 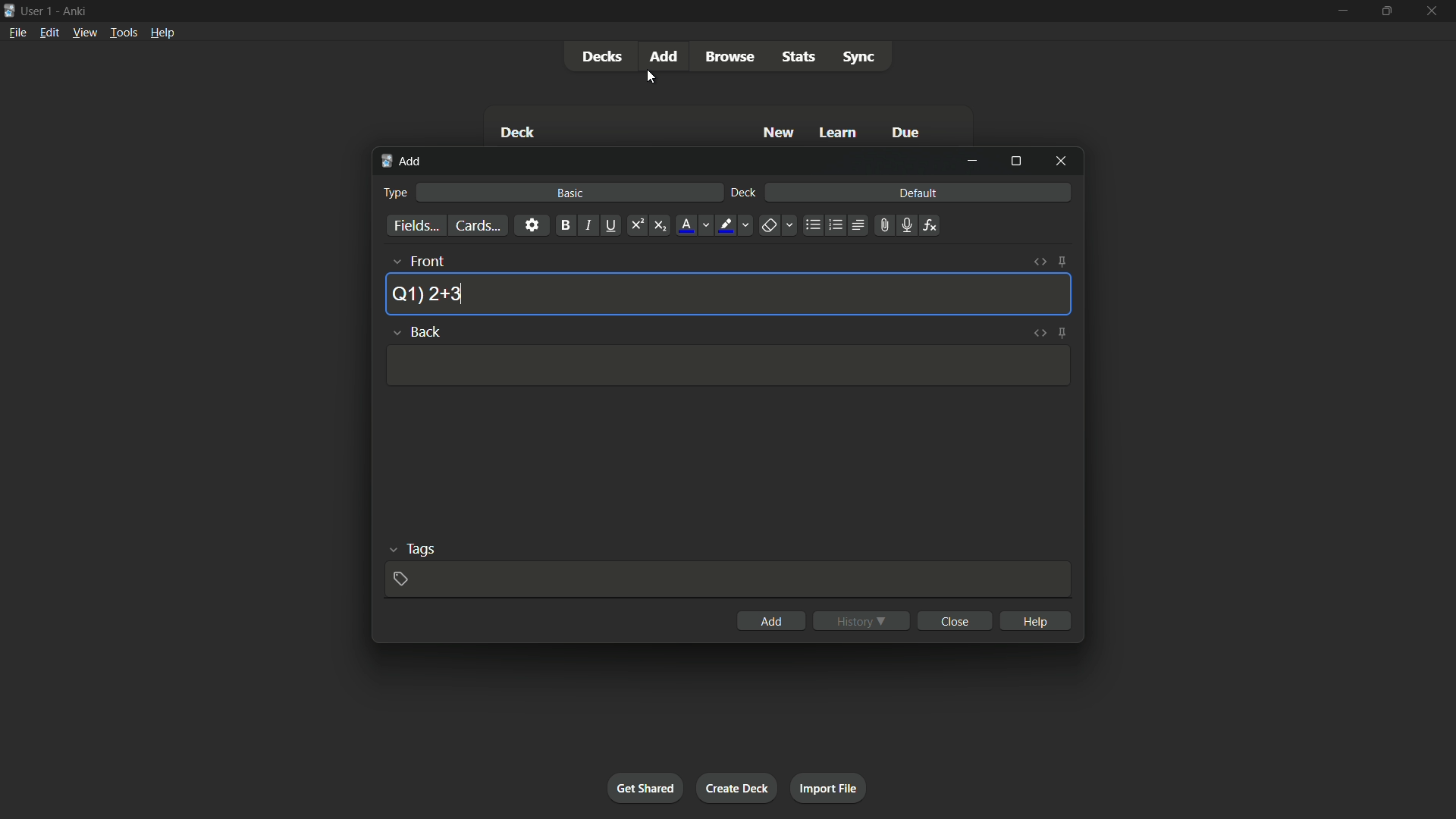 I want to click on add tag, so click(x=400, y=579).